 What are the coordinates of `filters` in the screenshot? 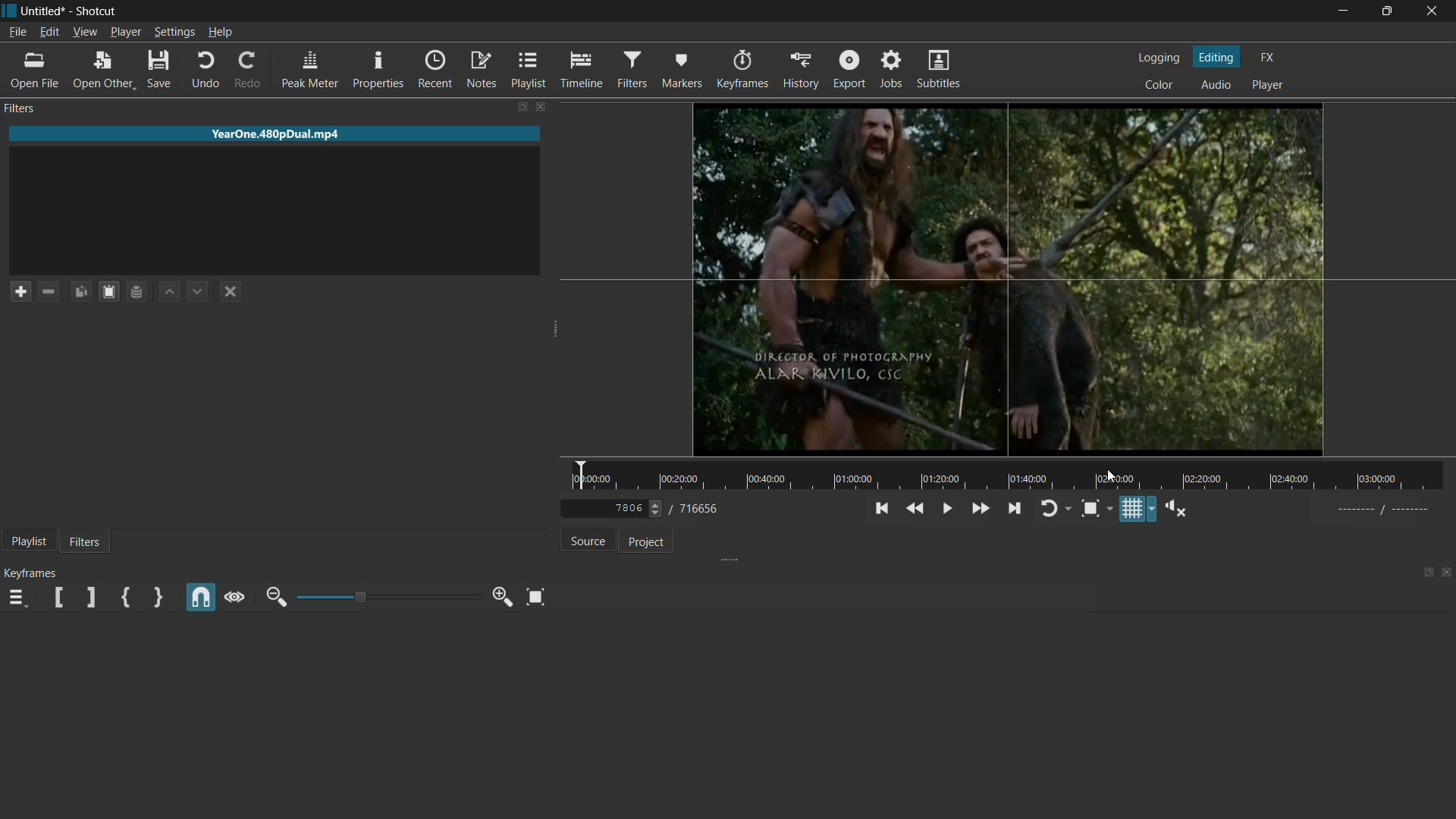 It's located at (19, 108).